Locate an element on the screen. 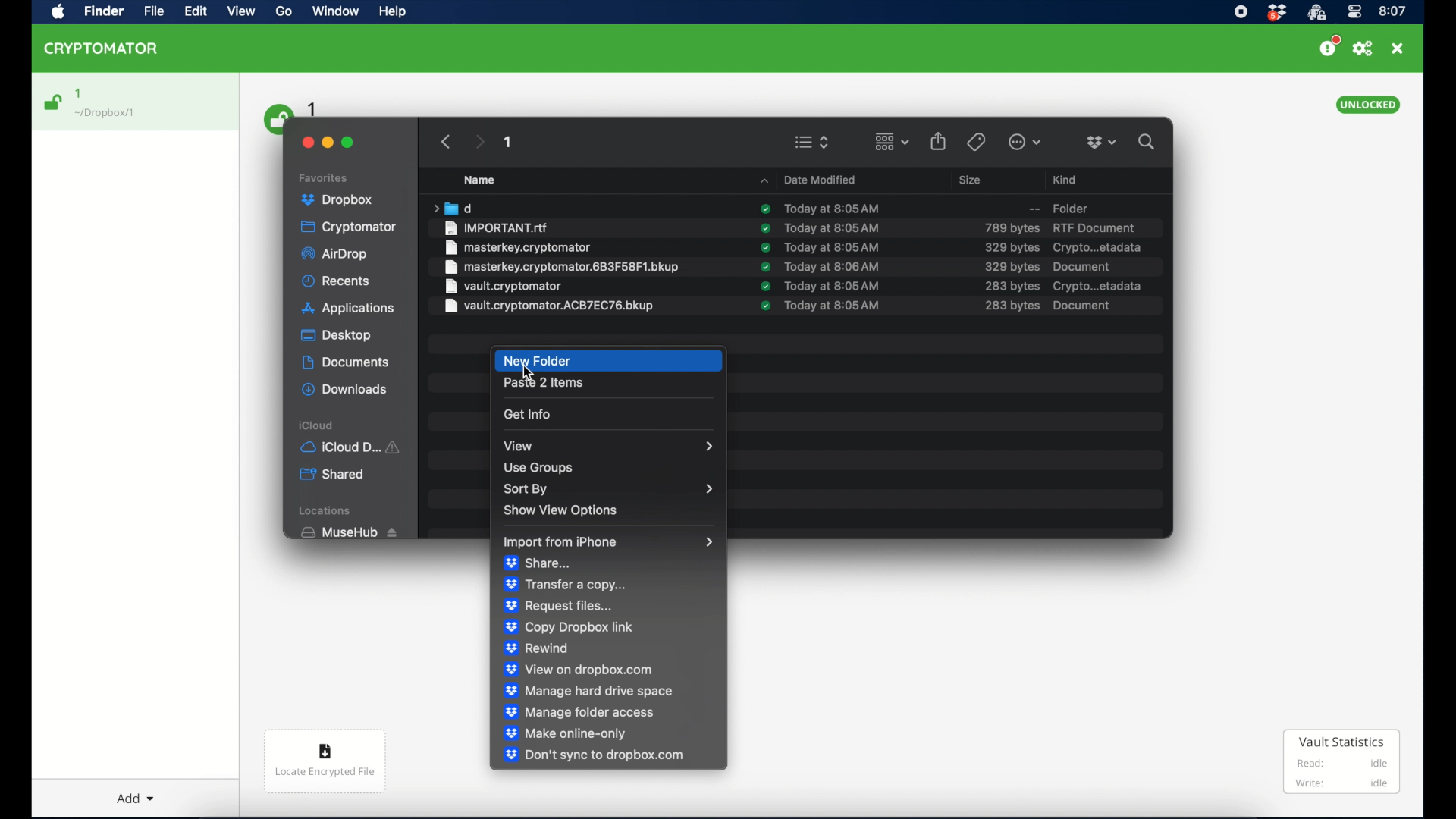 This screenshot has height=819, width=1456. crytptomator is located at coordinates (1316, 13).